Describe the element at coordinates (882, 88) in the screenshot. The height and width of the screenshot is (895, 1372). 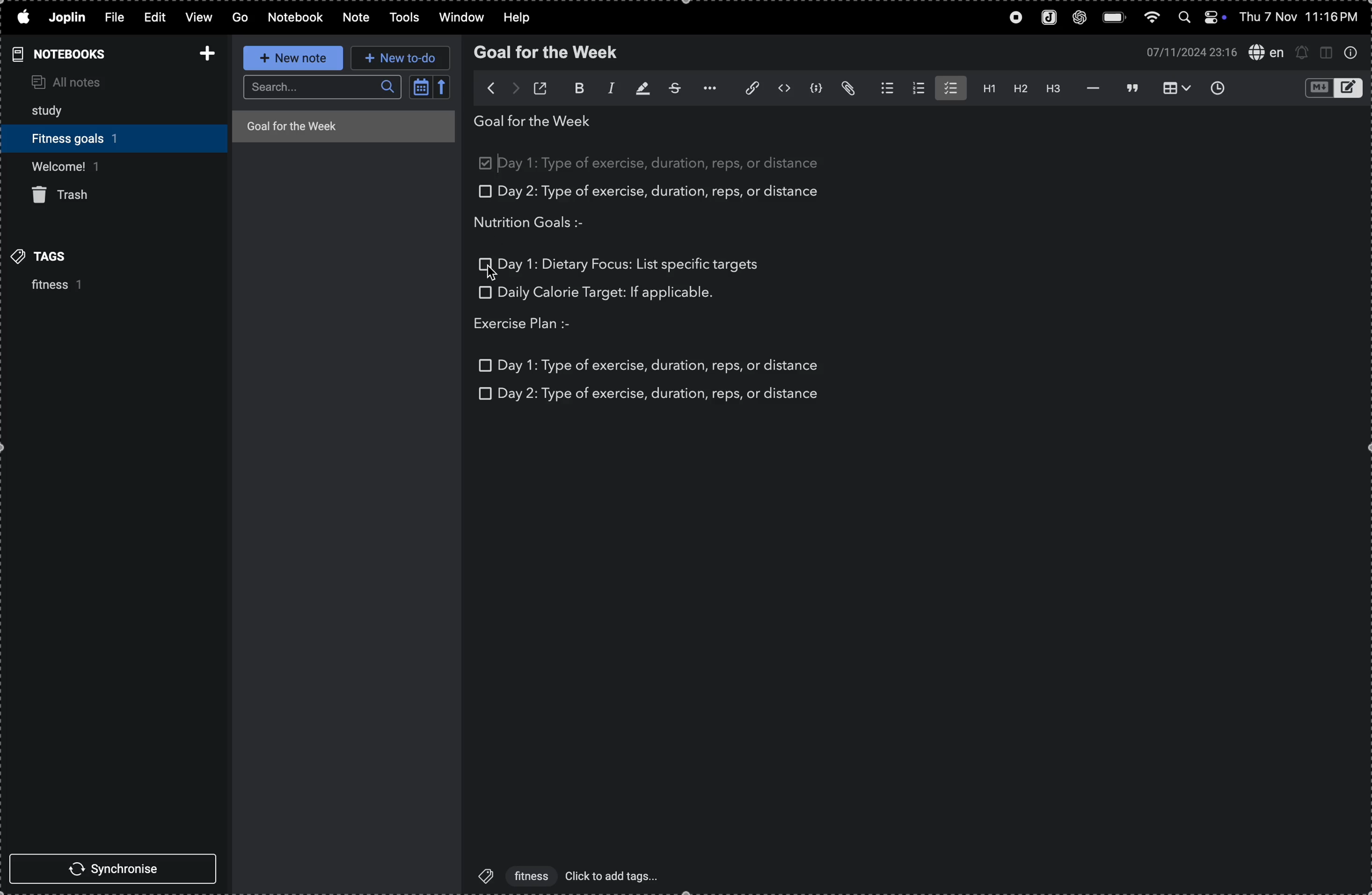
I see `bullet list` at that location.